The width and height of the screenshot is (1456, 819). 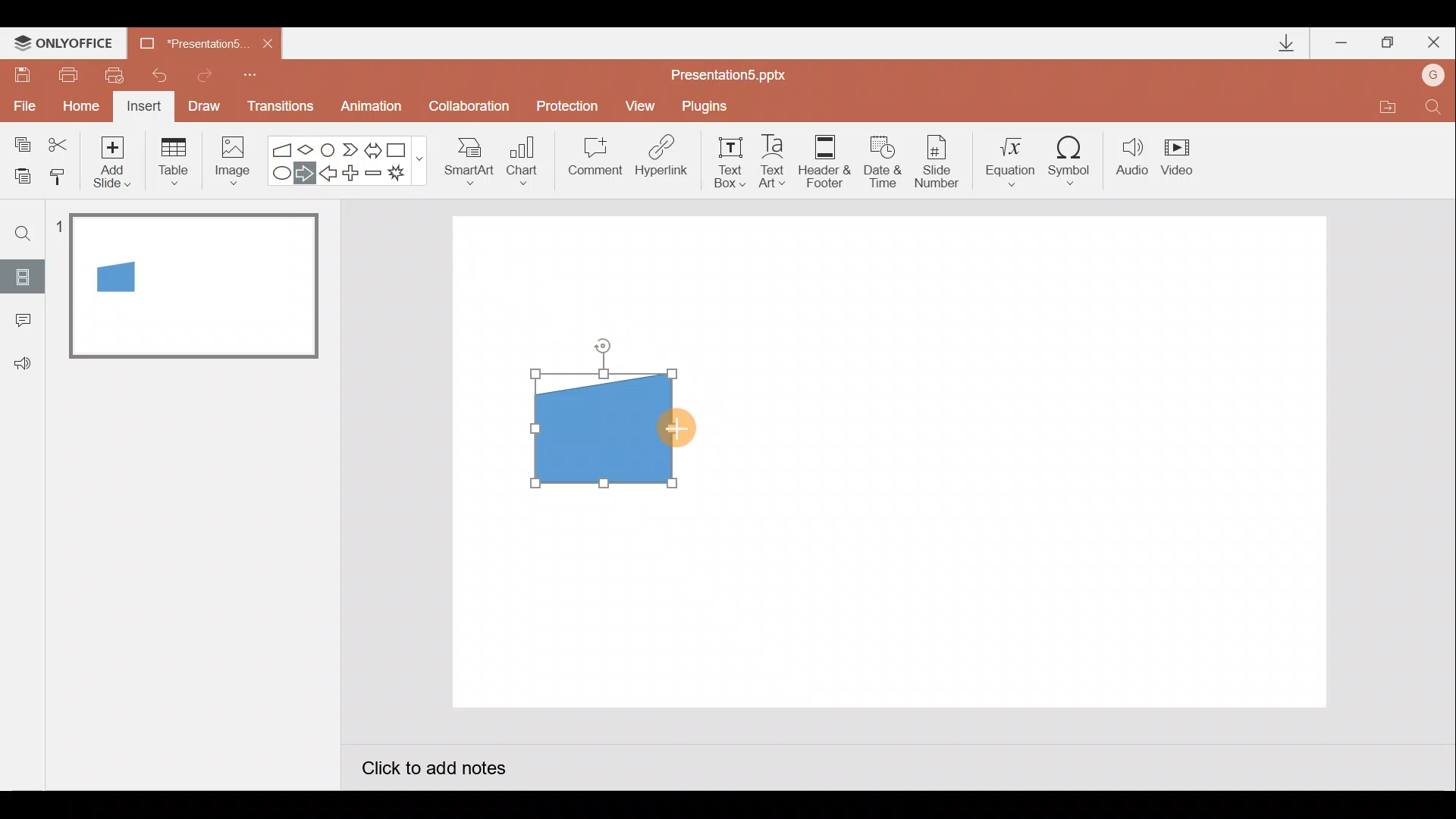 I want to click on Home, so click(x=77, y=102).